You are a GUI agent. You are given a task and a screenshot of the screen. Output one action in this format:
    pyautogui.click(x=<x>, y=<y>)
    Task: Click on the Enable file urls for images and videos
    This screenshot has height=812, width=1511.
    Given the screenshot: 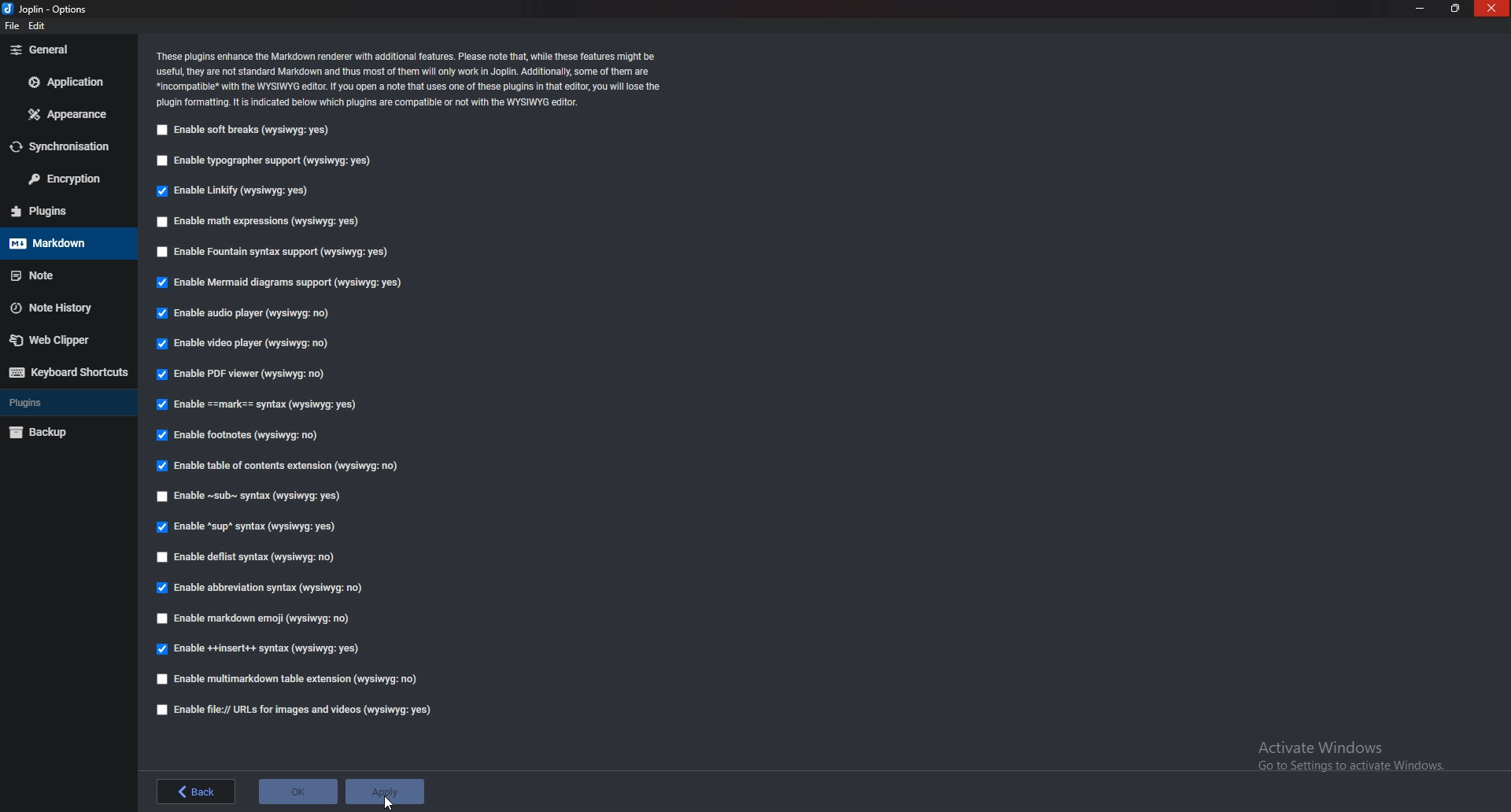 What is the action you would take?
    pyautogui.click(x=296, y=710)
    